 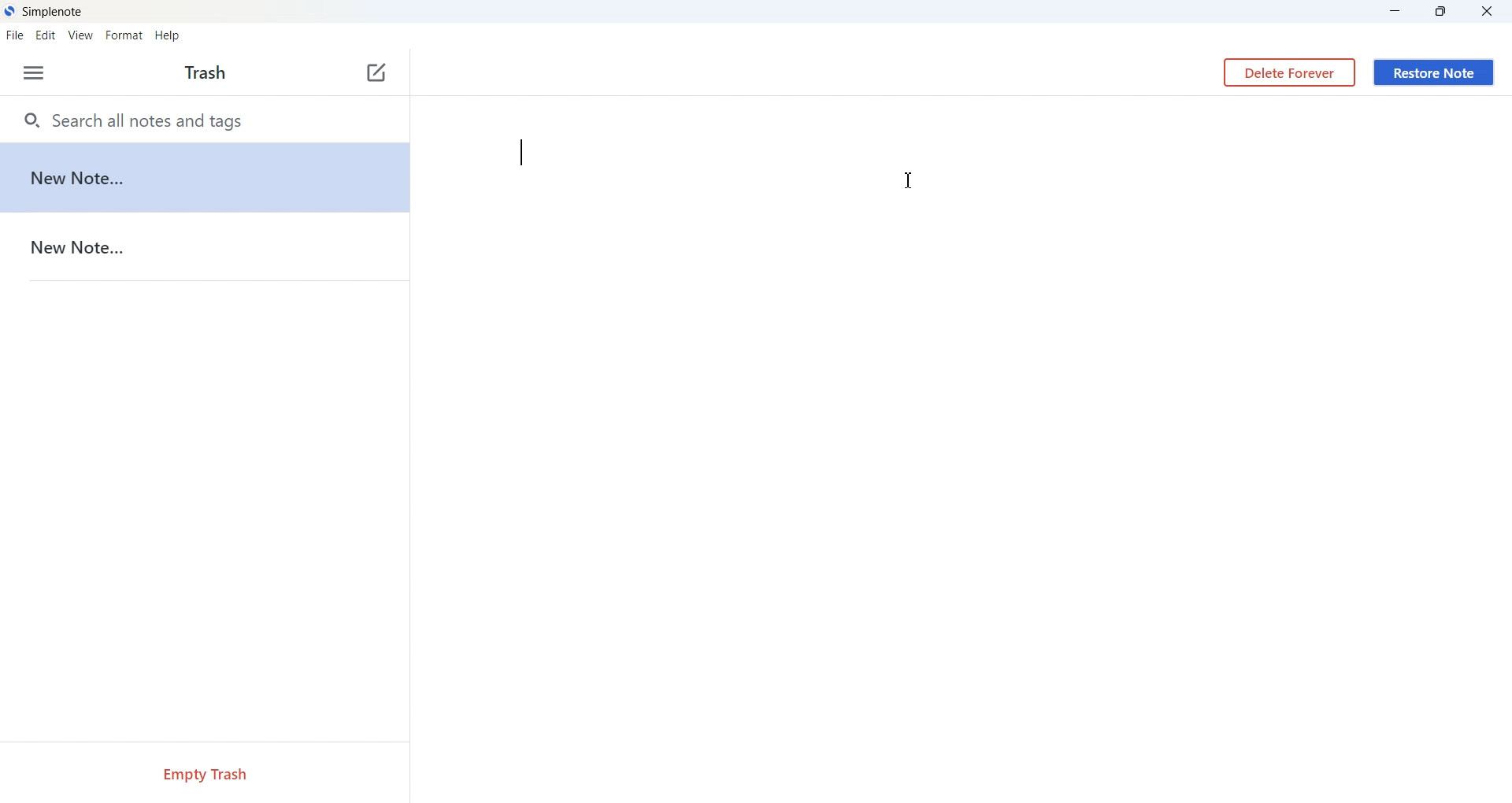 What do you see at coordinates (377, 75) in the screenshot?
I see `New Note` at bounding box center [377, 75].